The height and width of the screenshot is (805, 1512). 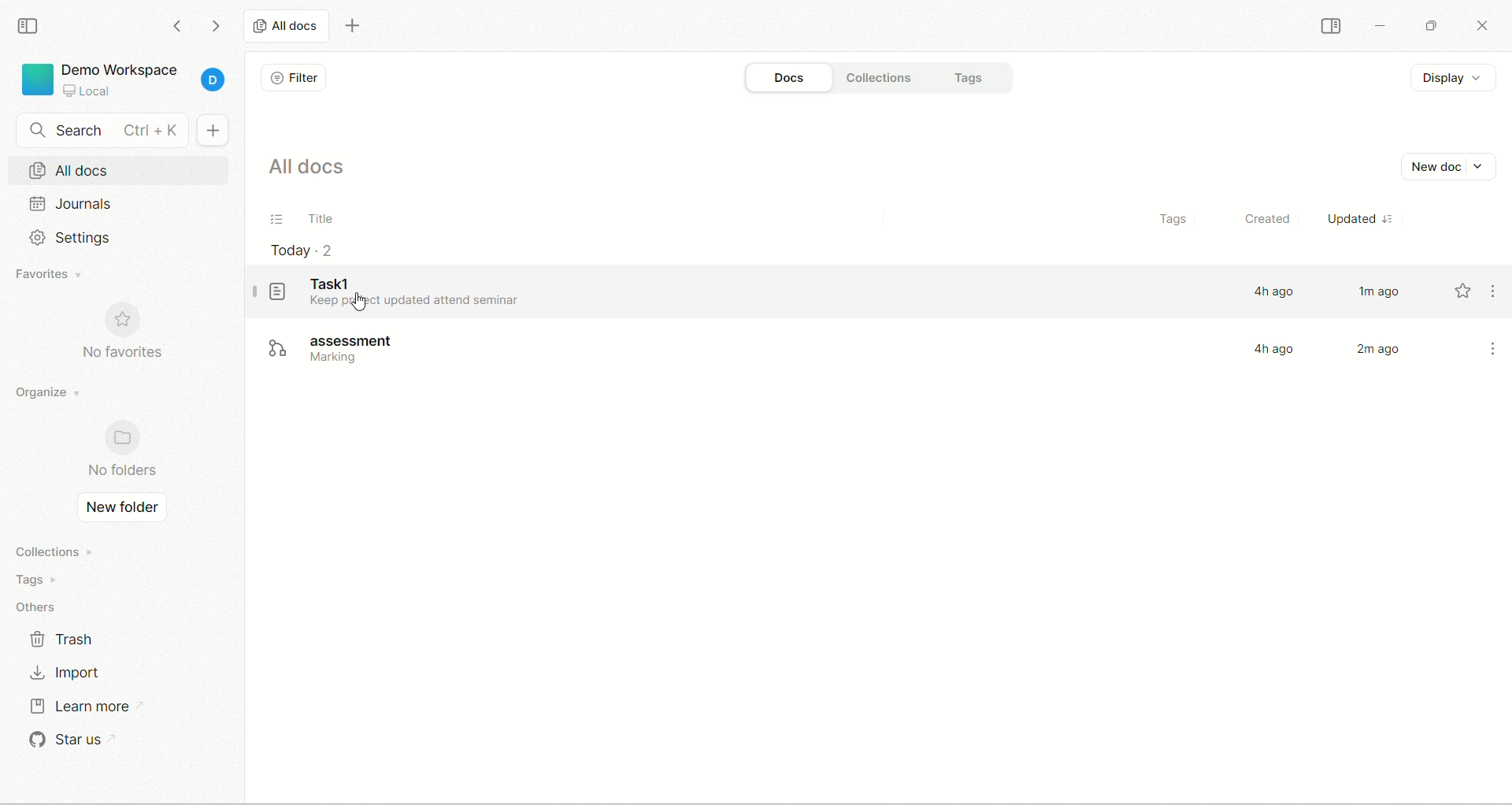 What do you see at coordinates (383, 290) in the screenshot?
I see `task1` at bounding box center [383, 290].